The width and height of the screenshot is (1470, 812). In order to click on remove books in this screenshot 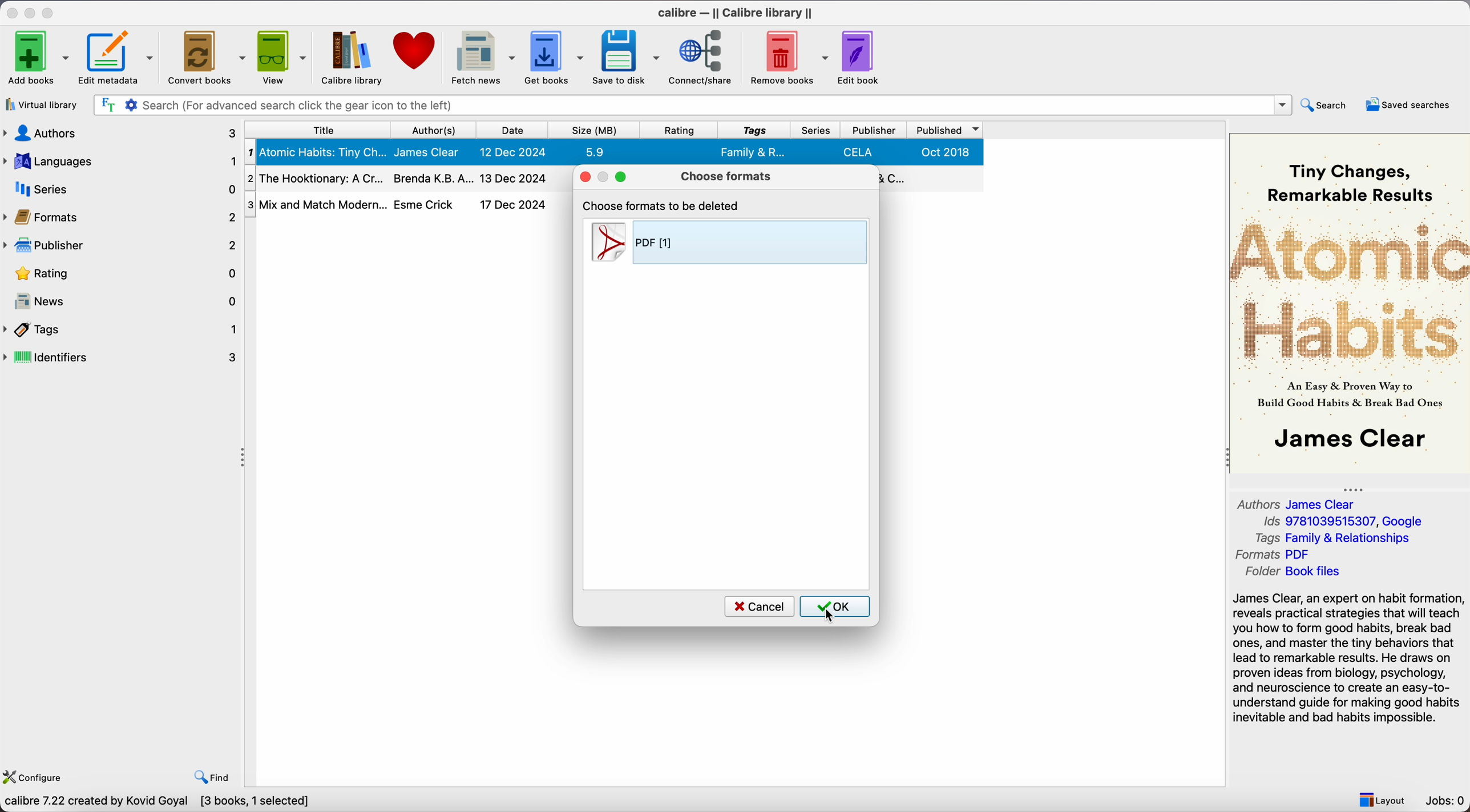, I will do `click(785, 56)`.